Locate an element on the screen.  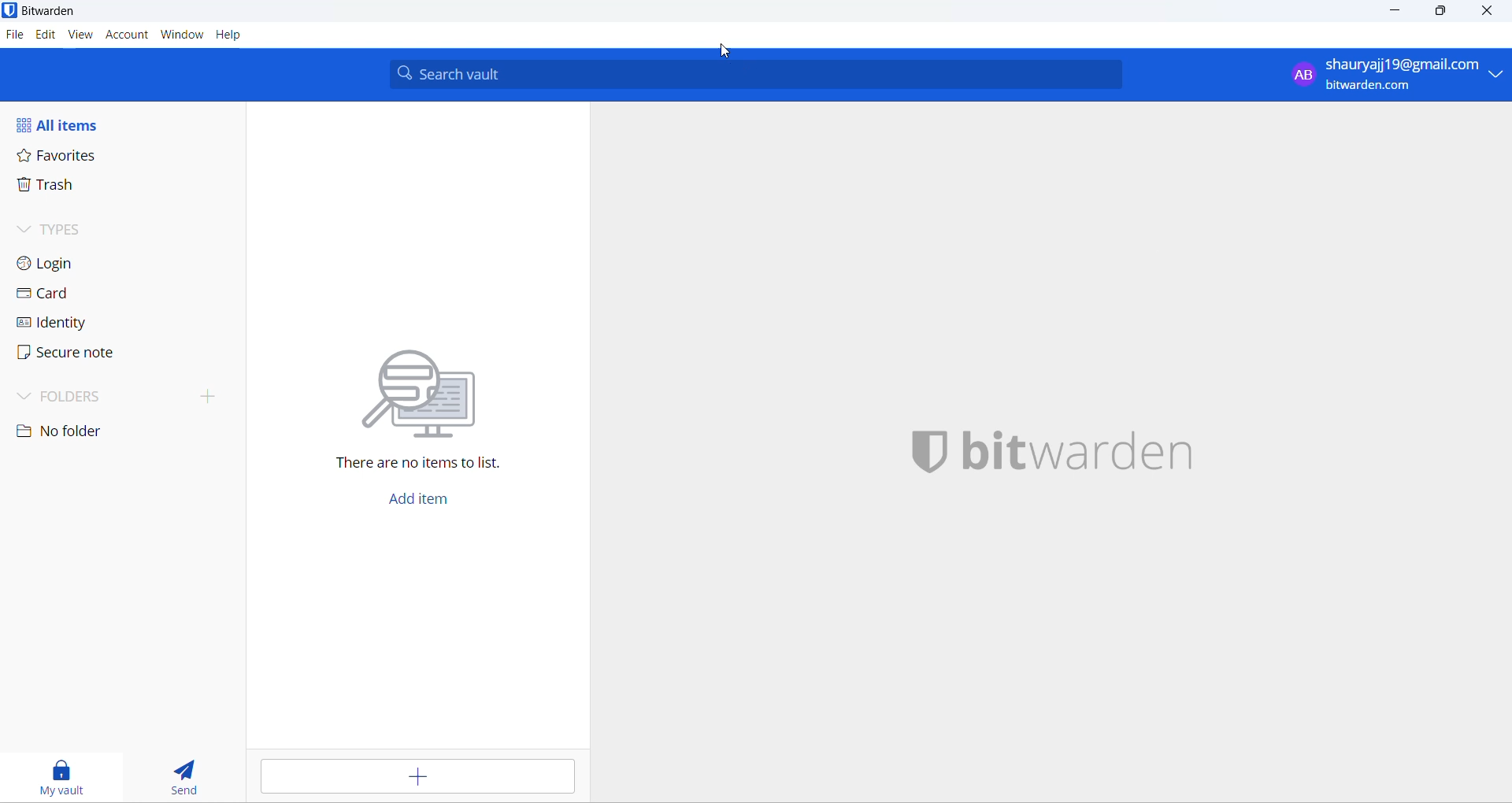
trash is located at coordinates (68, 186).